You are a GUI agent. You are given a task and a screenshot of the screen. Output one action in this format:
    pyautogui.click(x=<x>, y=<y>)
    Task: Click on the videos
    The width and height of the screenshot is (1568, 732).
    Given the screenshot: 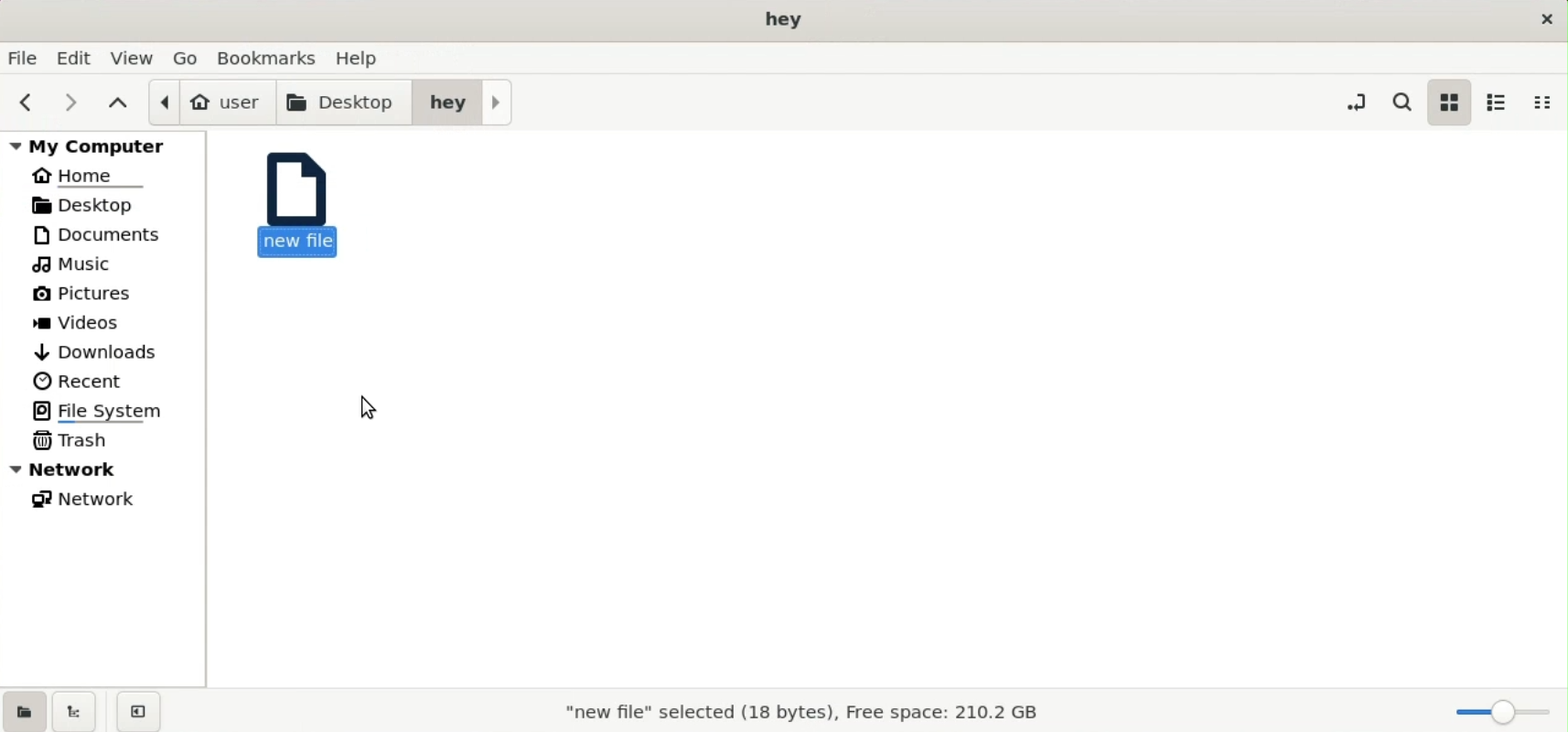 What is the action you would take?
    pyautogui.click(x=83, y=325)
    